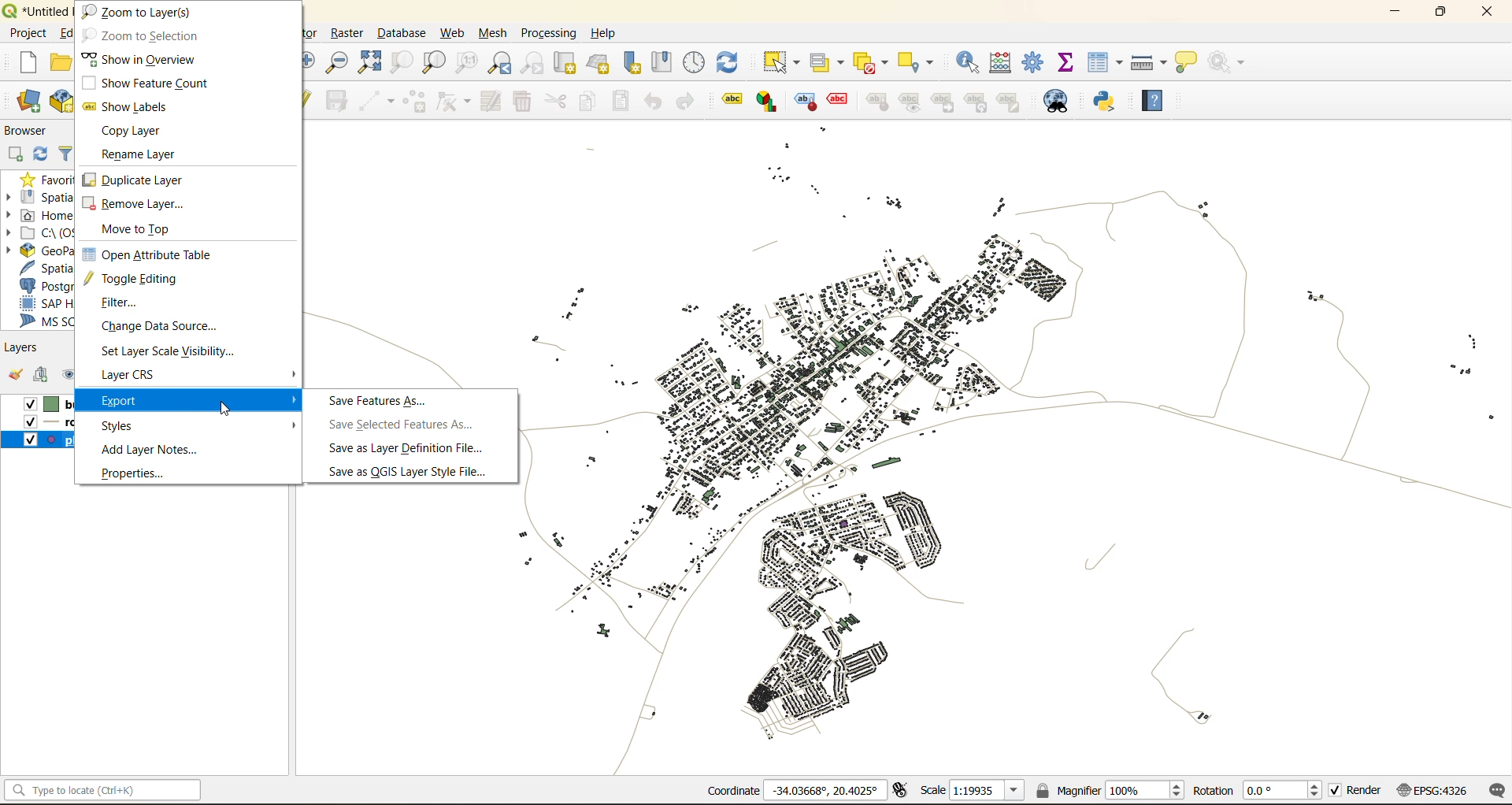 This screenshot has width=1512, height=805. What do you see at coordinates (1014, 102) in the screenshot?
I see `change label properties` at bounding box center [1014, 102].